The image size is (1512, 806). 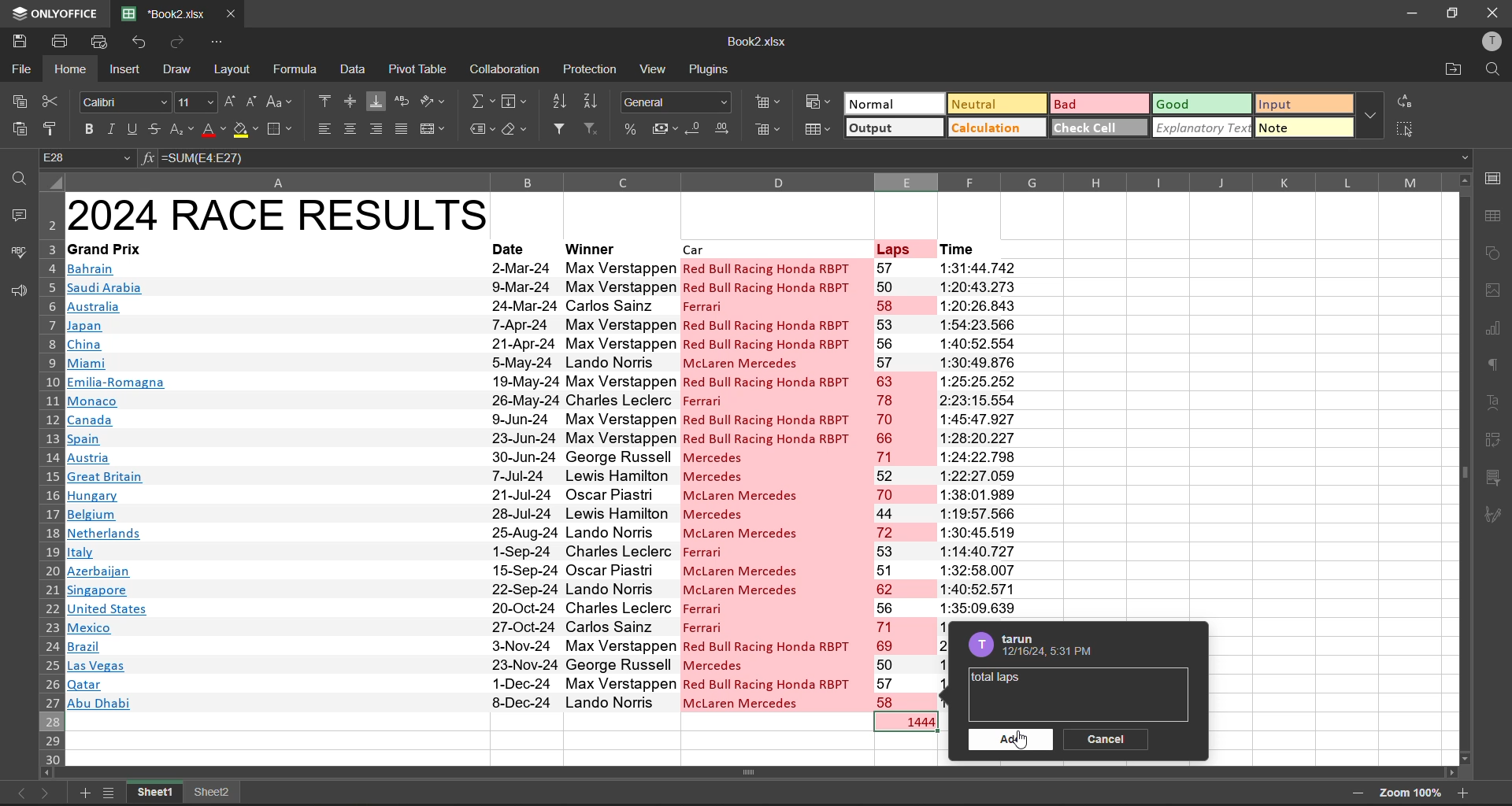 What do you see at coordinates (375, 100) in the screenshot?
I see `align bottom` at bounding box center [375, 100].